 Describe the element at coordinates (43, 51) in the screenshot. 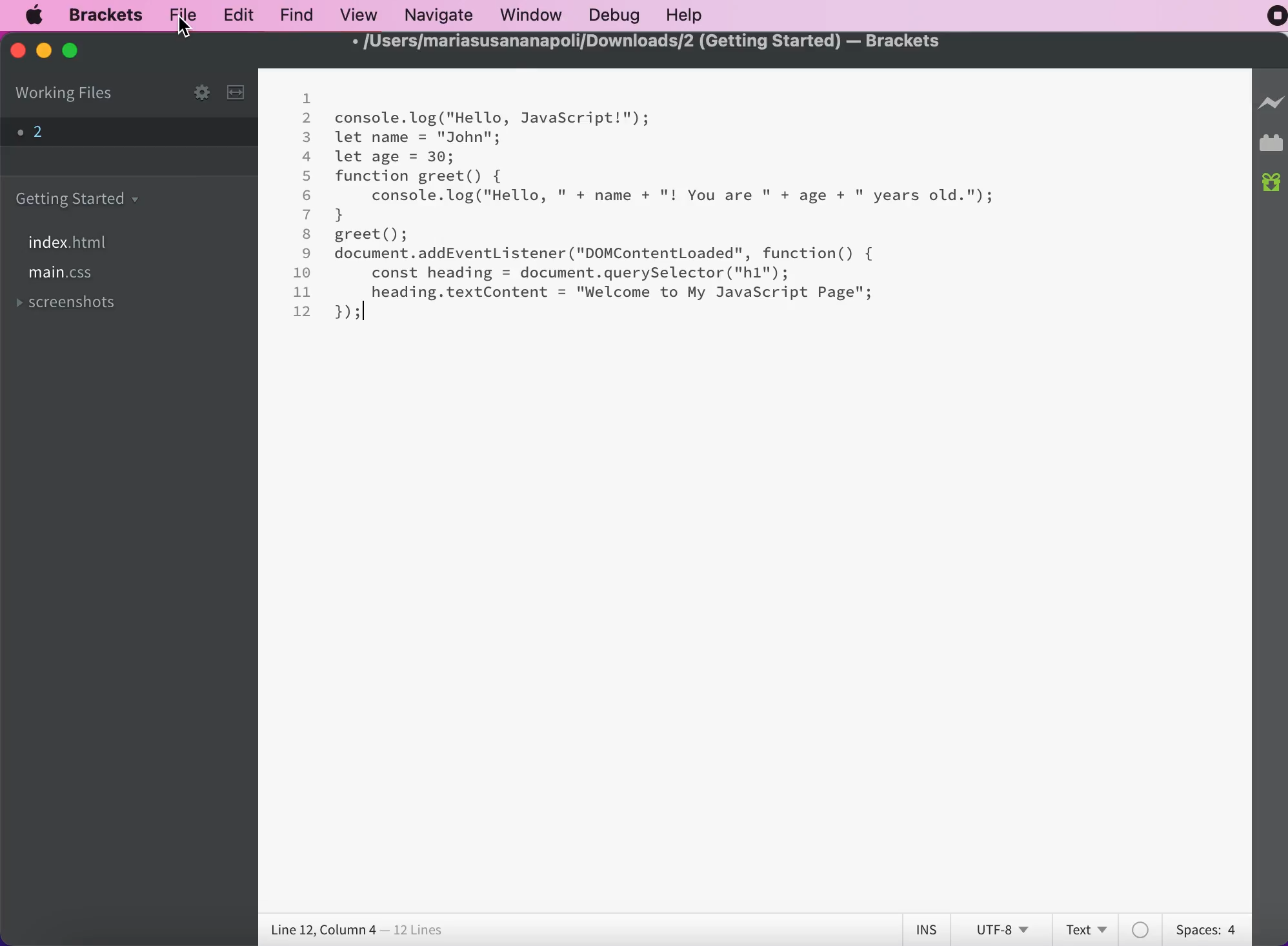

I see `minimize` at that location.